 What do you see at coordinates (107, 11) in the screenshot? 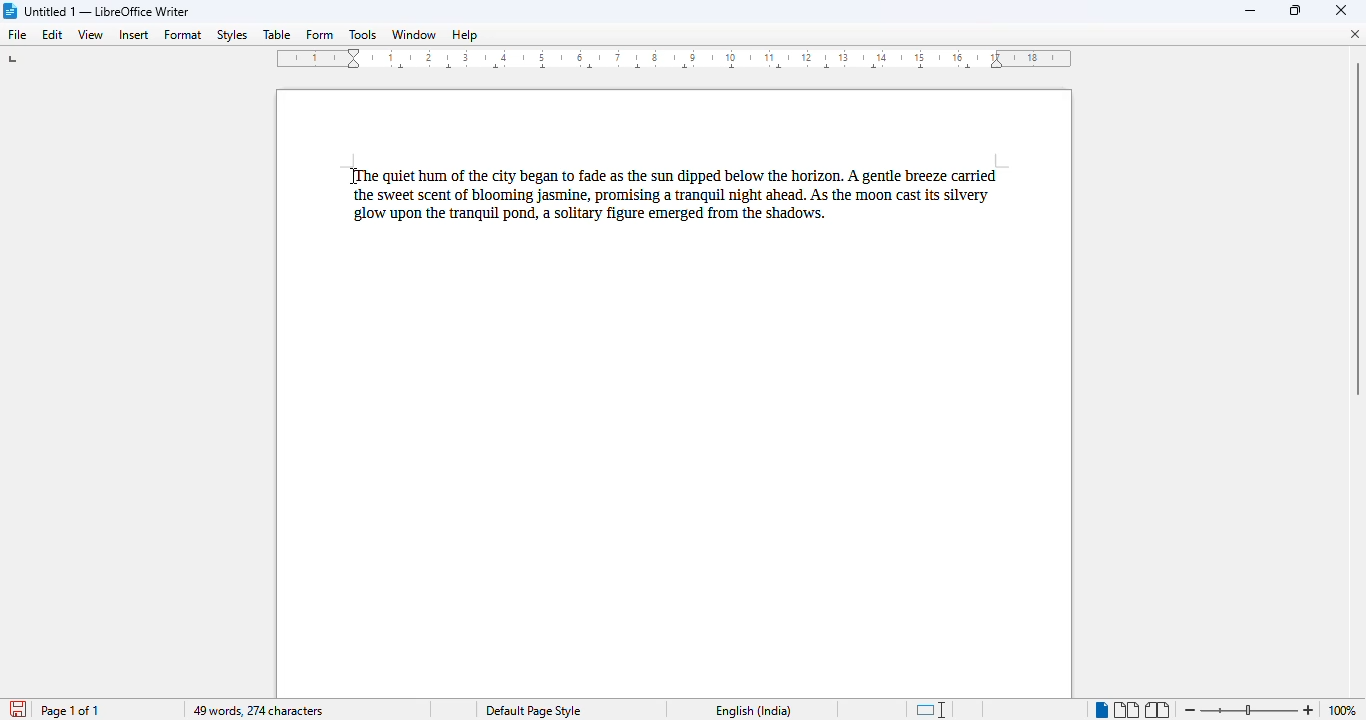
I see `title` at bounding box center [107, 11].